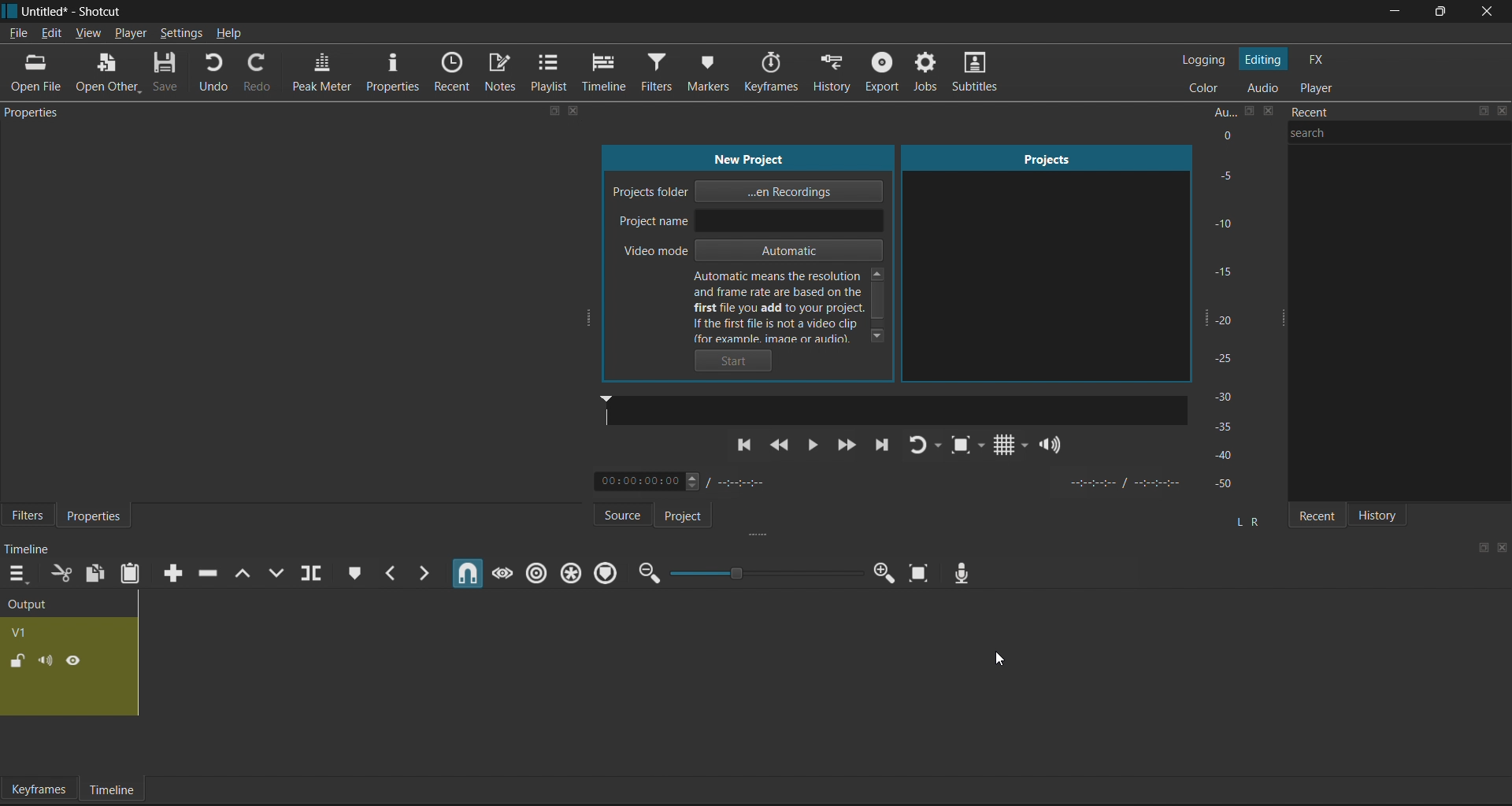  I want to click on Ripple, so click(535, 572).